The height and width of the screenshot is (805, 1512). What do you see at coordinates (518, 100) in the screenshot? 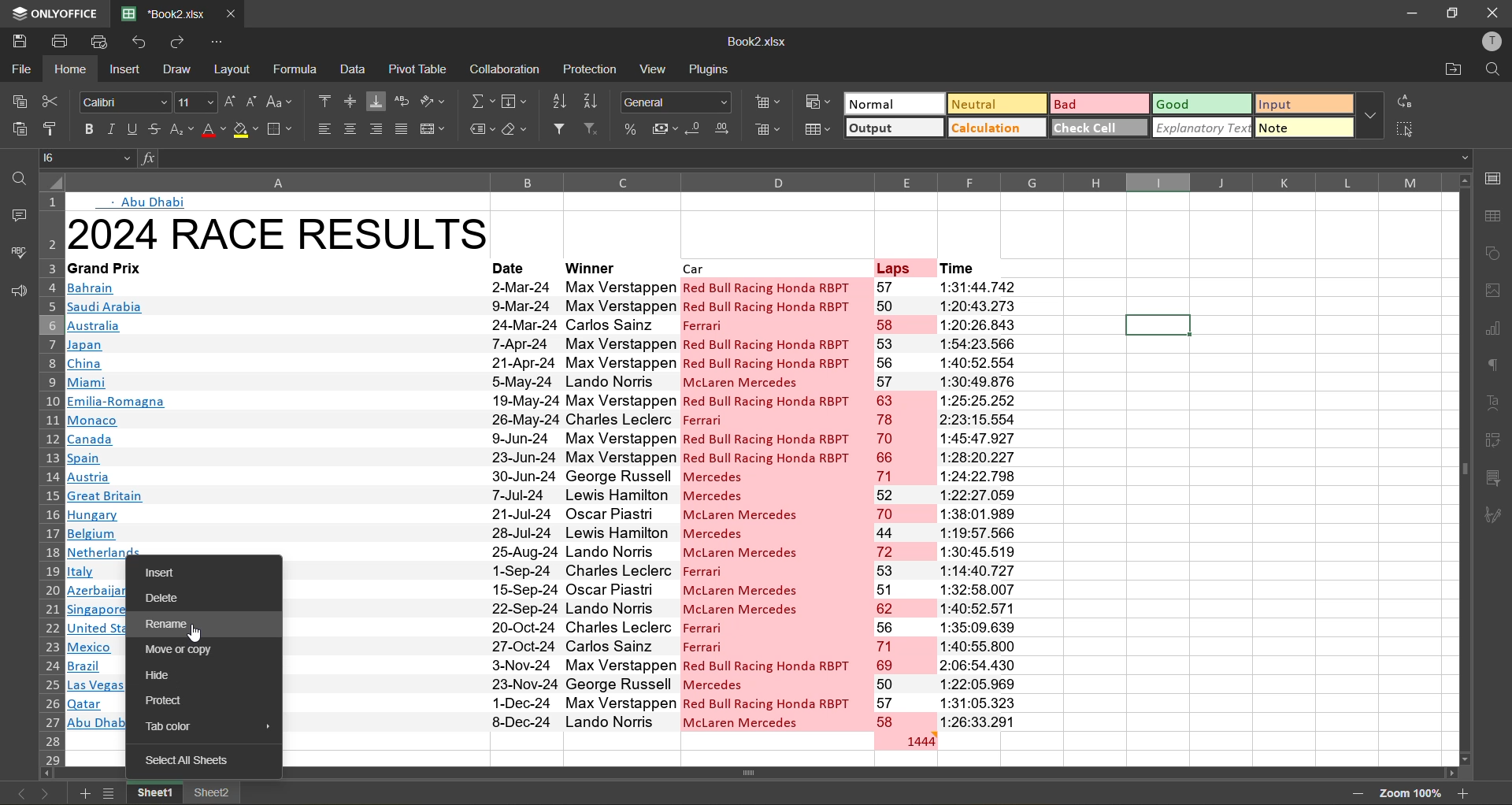
I see `fields` at bounding box center [518, 100].